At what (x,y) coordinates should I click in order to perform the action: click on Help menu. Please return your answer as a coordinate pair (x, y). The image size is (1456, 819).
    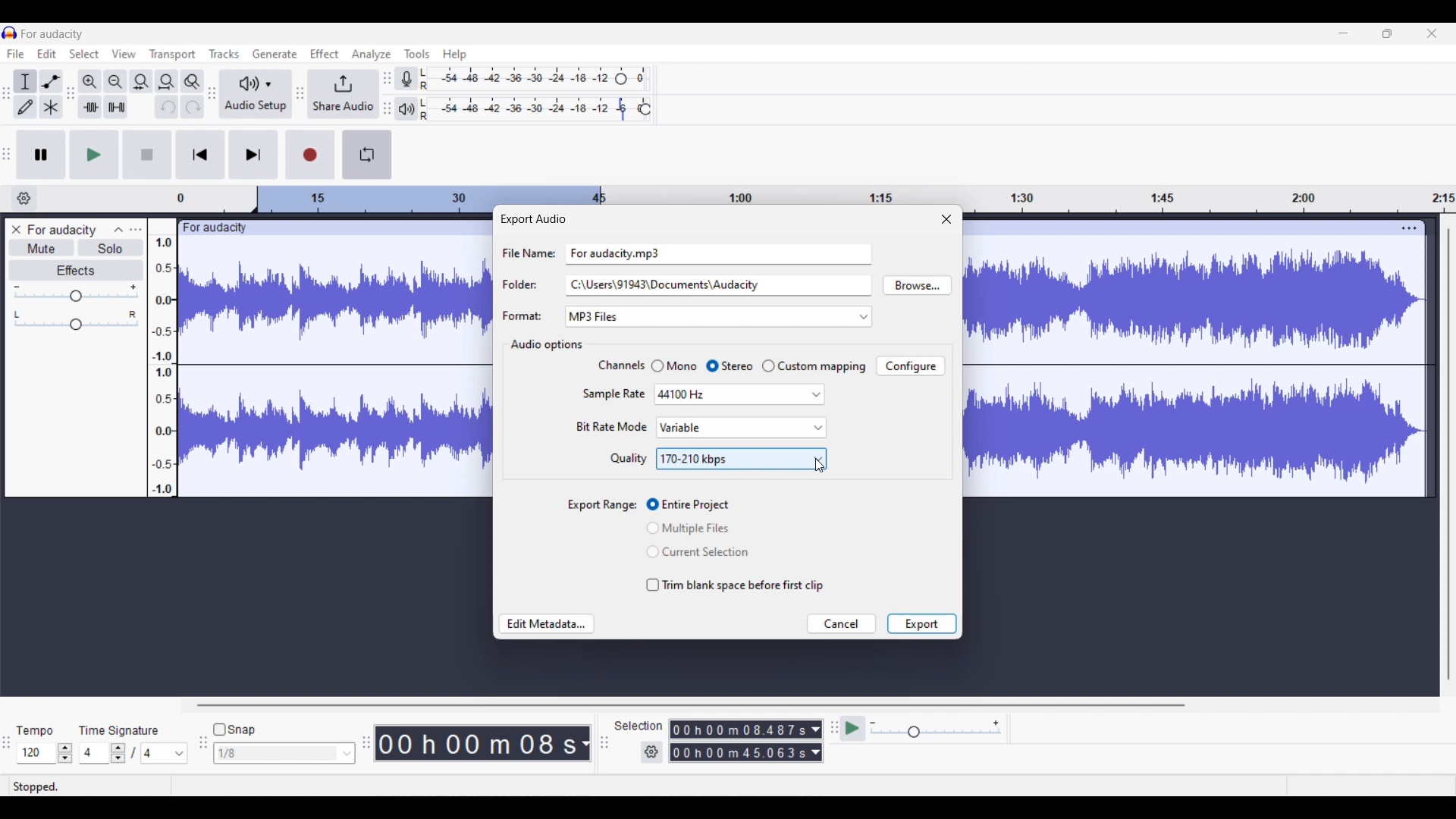
    Looking at the image, I should click on (455, 55).